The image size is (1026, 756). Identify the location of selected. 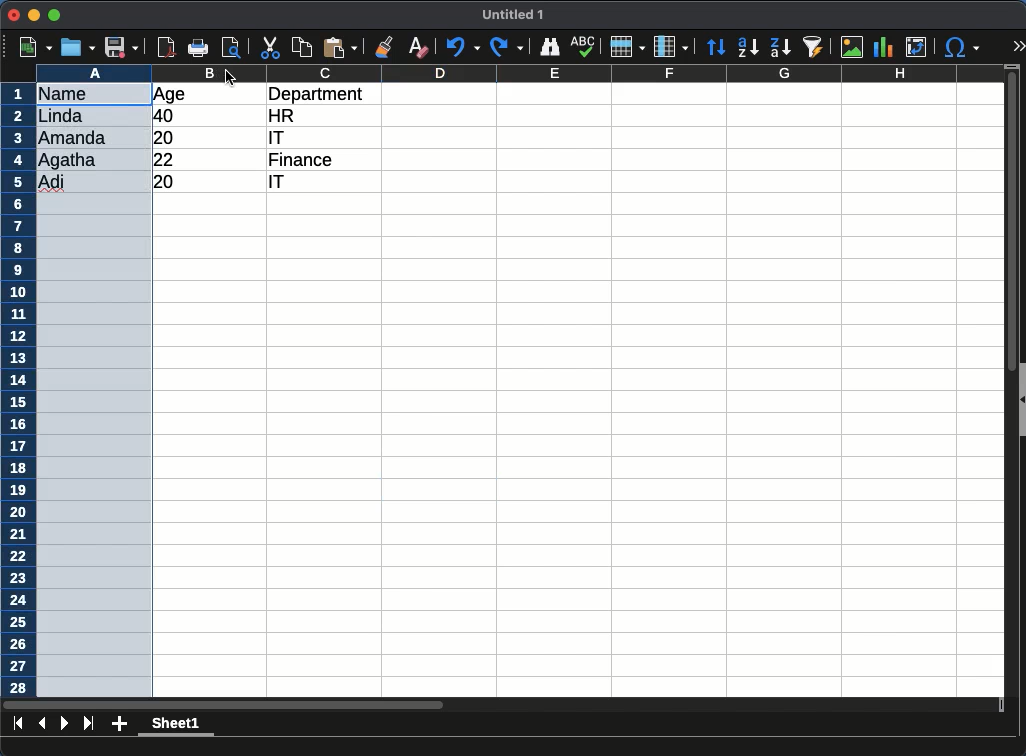
(92, 389).